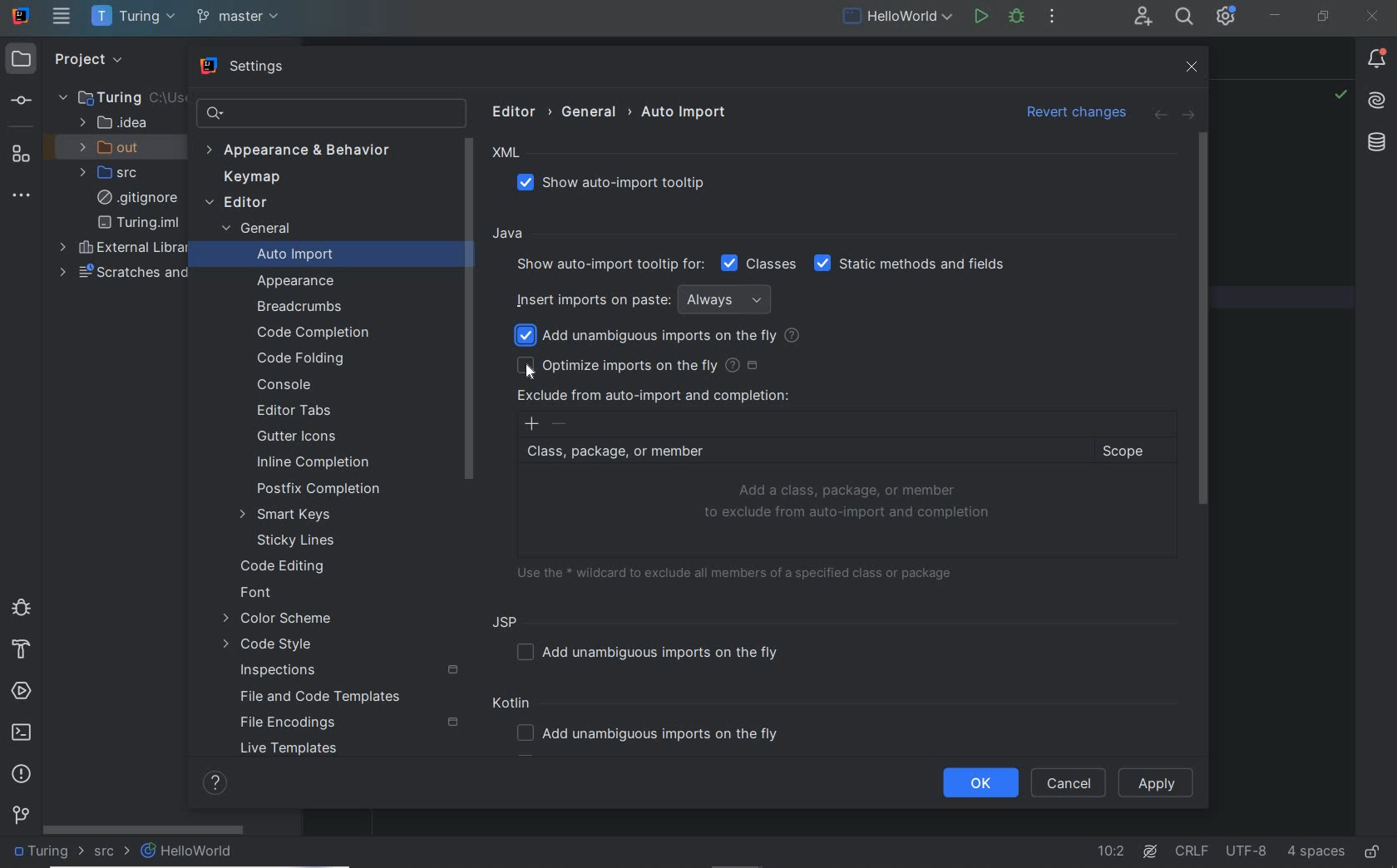  What do you see at coordinates (741, 571) in the screenshot?
I see `USE WILDCARD TO EXCLUDE ALL MEMBERS INFORMATION` at bounding box center [741, 571].